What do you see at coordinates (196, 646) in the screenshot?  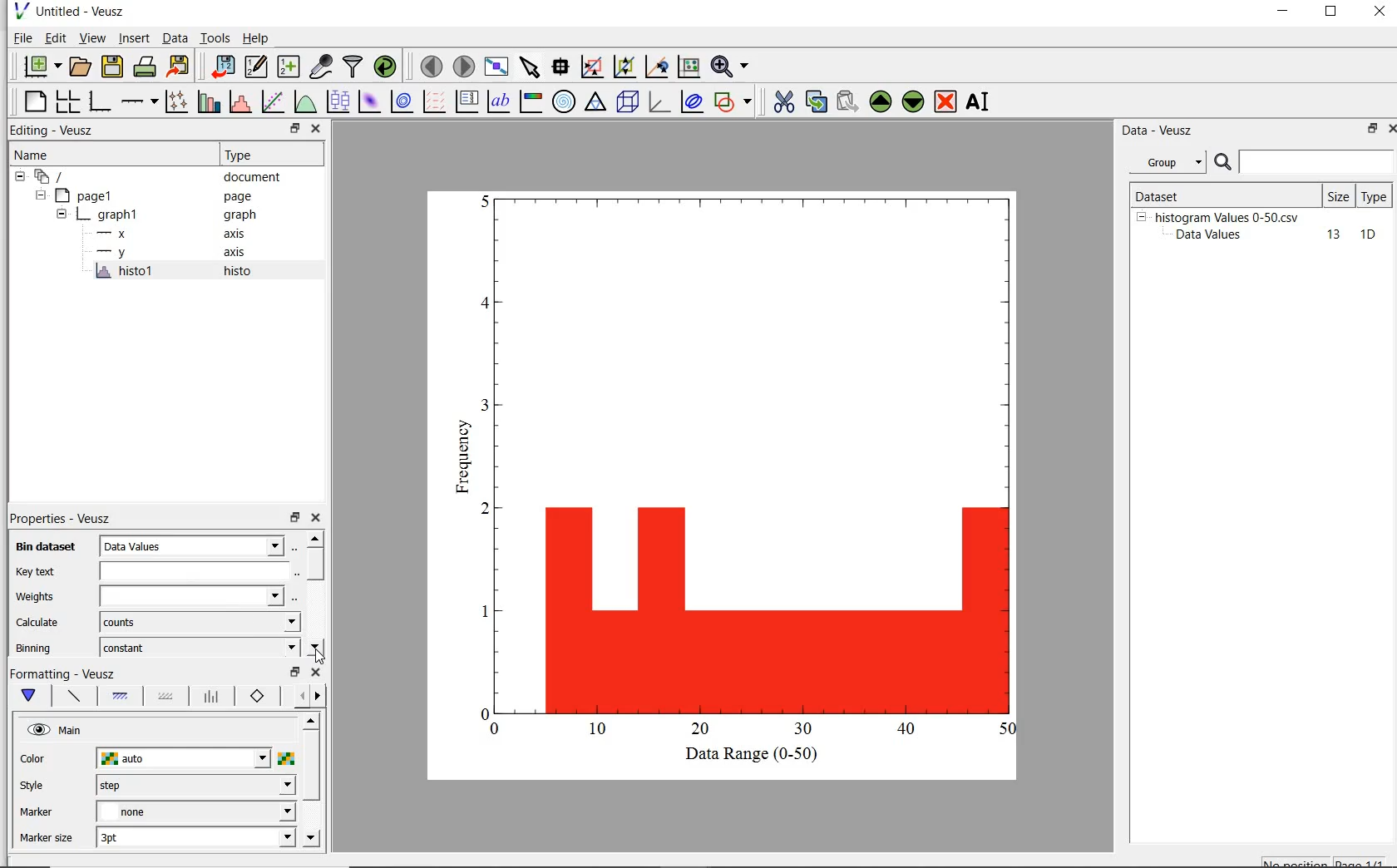 I see ` constant` at bounding box center [196, 646].